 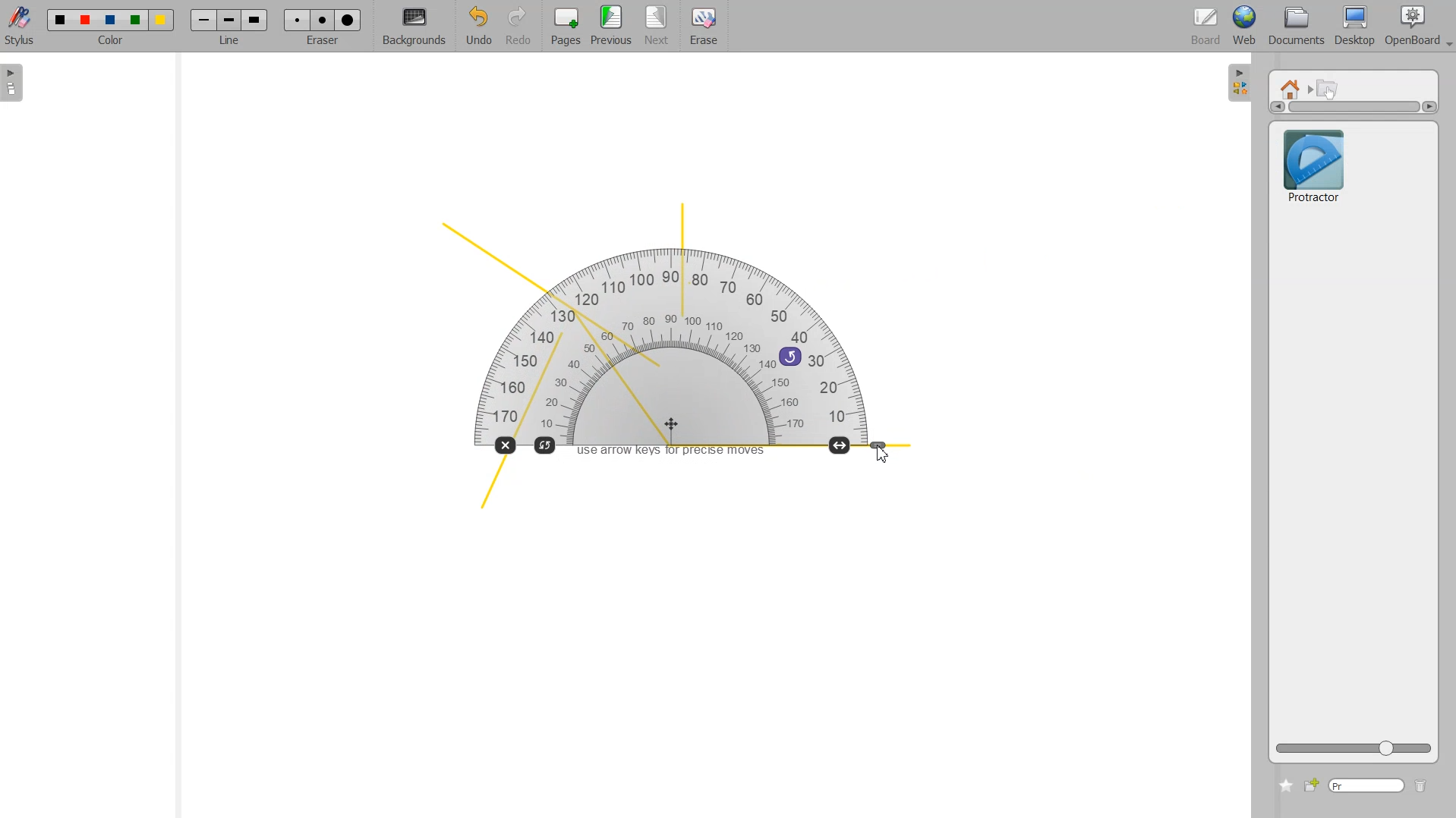 What do you see at coordinates (1285, 785) in the screenshot?
I see `Add to favorite` at bounding box center [1285, 785].